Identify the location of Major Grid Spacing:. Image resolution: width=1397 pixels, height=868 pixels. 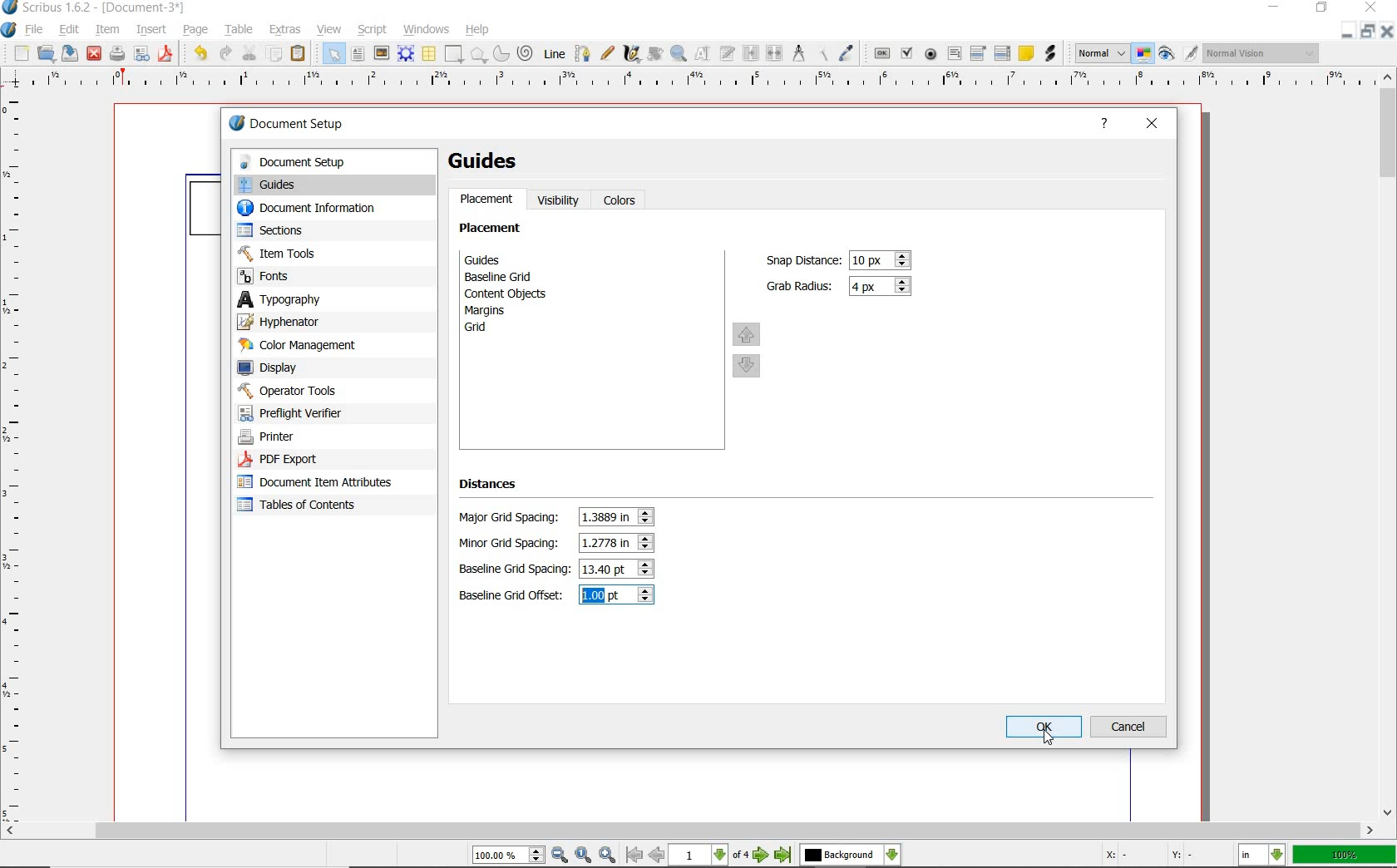
(513, 518).